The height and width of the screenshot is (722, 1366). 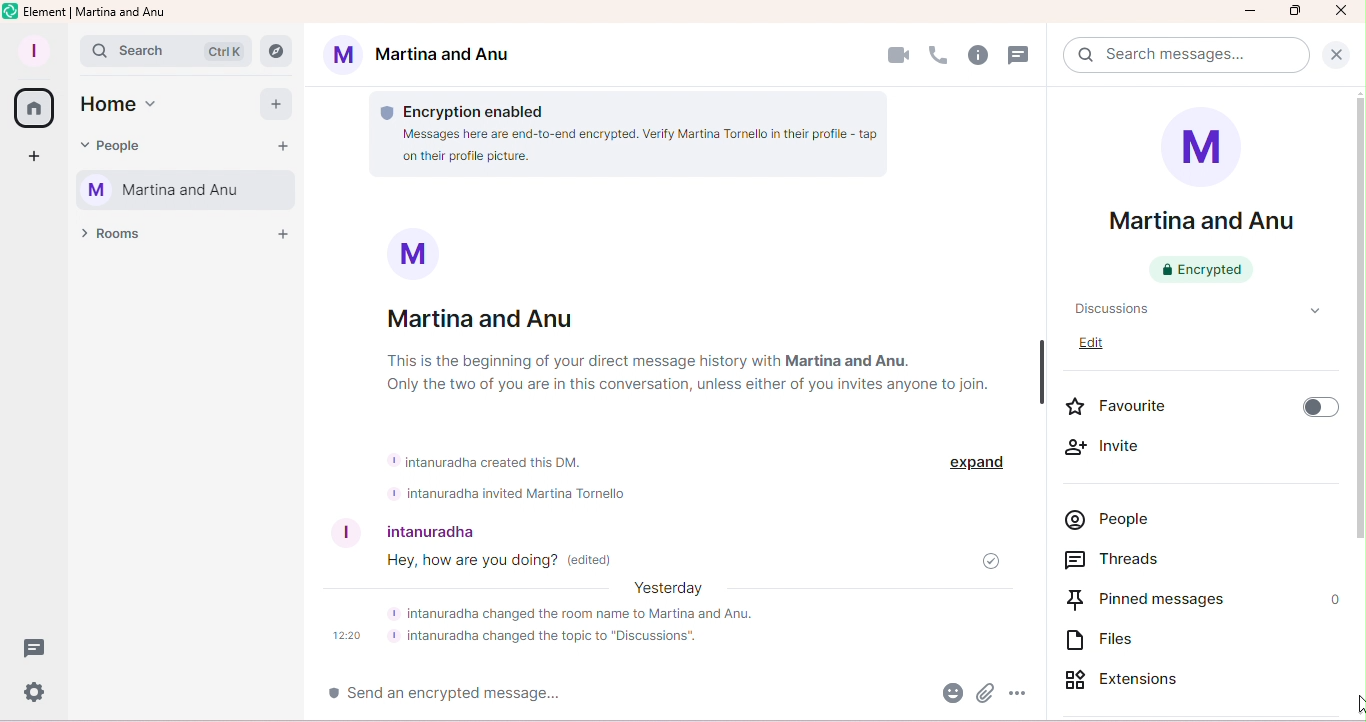 I want to click on Scroll bar, so click(x=1358, y=404).